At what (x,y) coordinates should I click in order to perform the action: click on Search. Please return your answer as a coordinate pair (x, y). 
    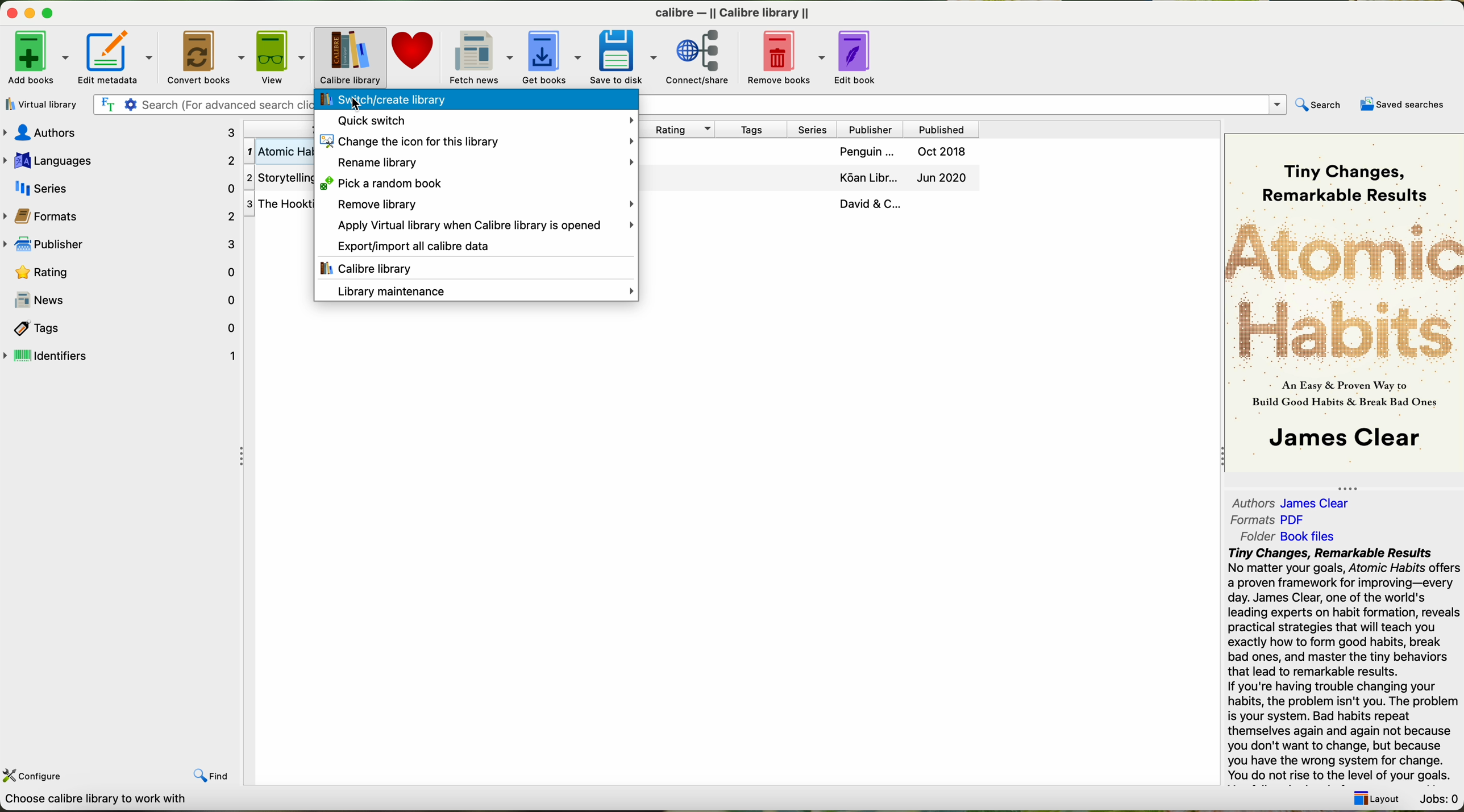
    Looking at the image, I should click on (963, 105).